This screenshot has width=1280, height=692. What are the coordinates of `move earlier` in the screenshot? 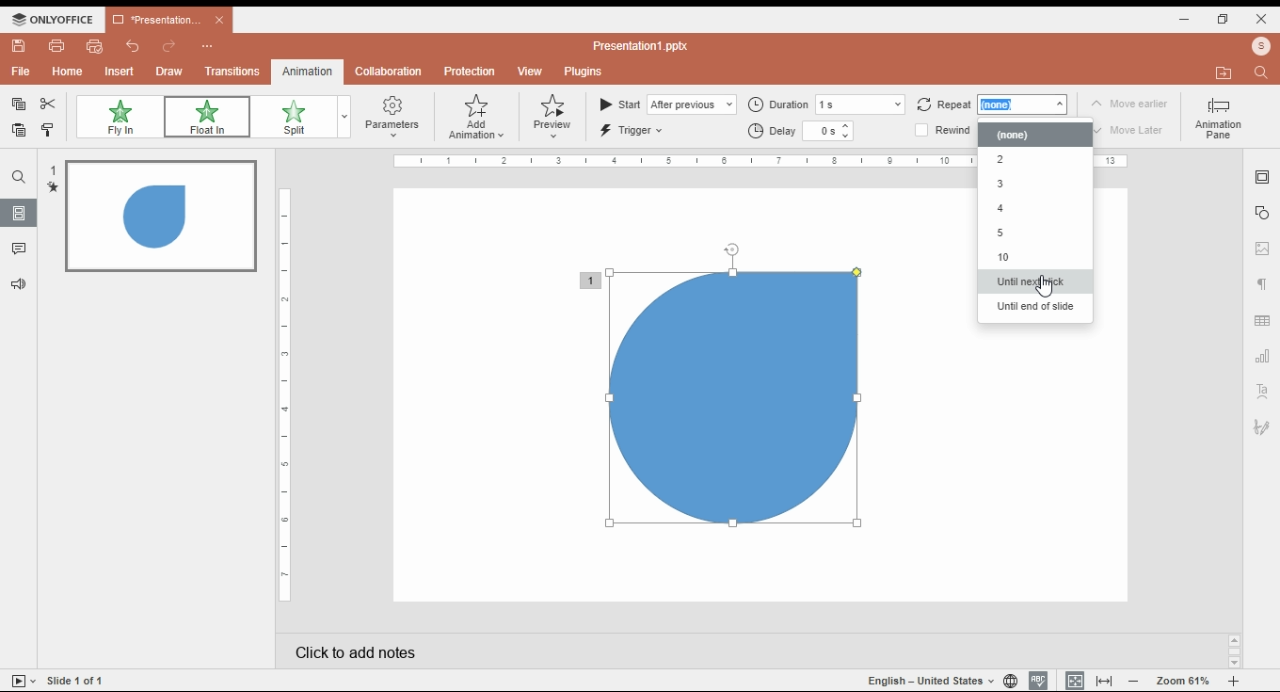 It's located at (1128, 105).